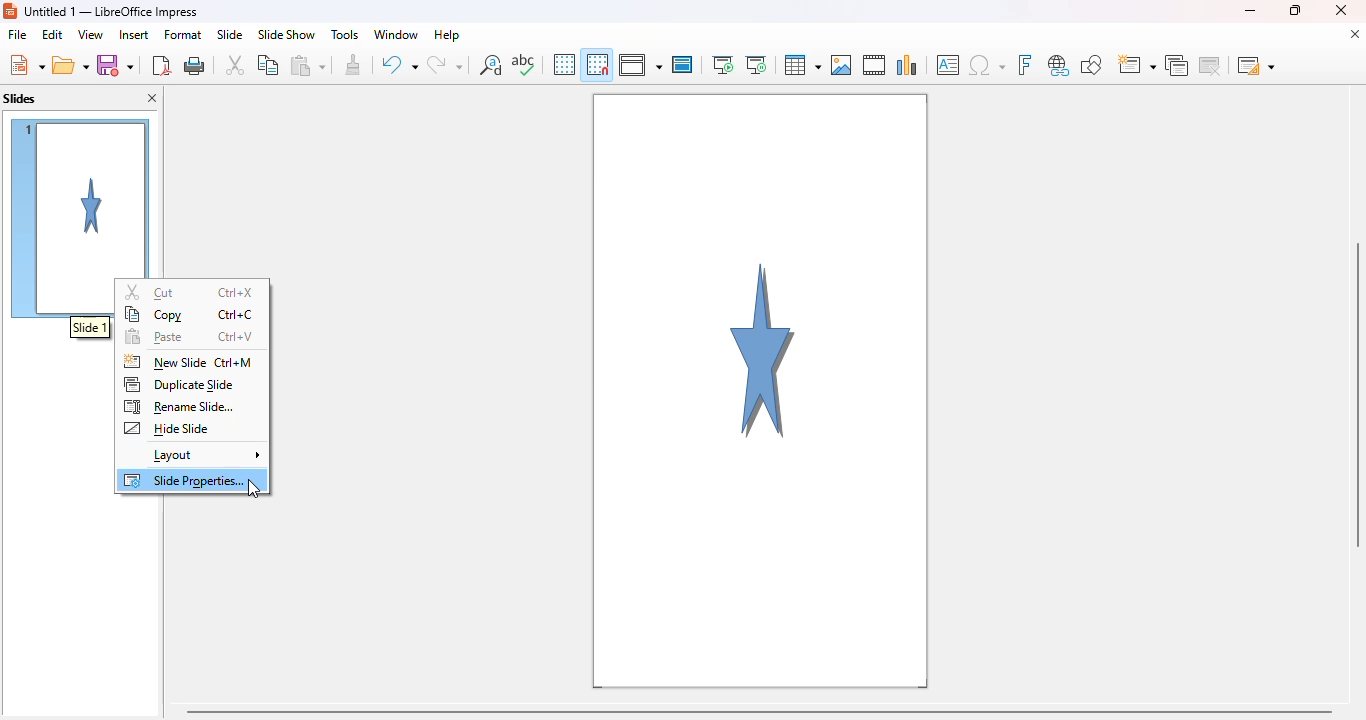 This screenshot has width=1366, height=720. Describe the element at coordinates (398, 64) in the screenshot. I see `undo` at that location.